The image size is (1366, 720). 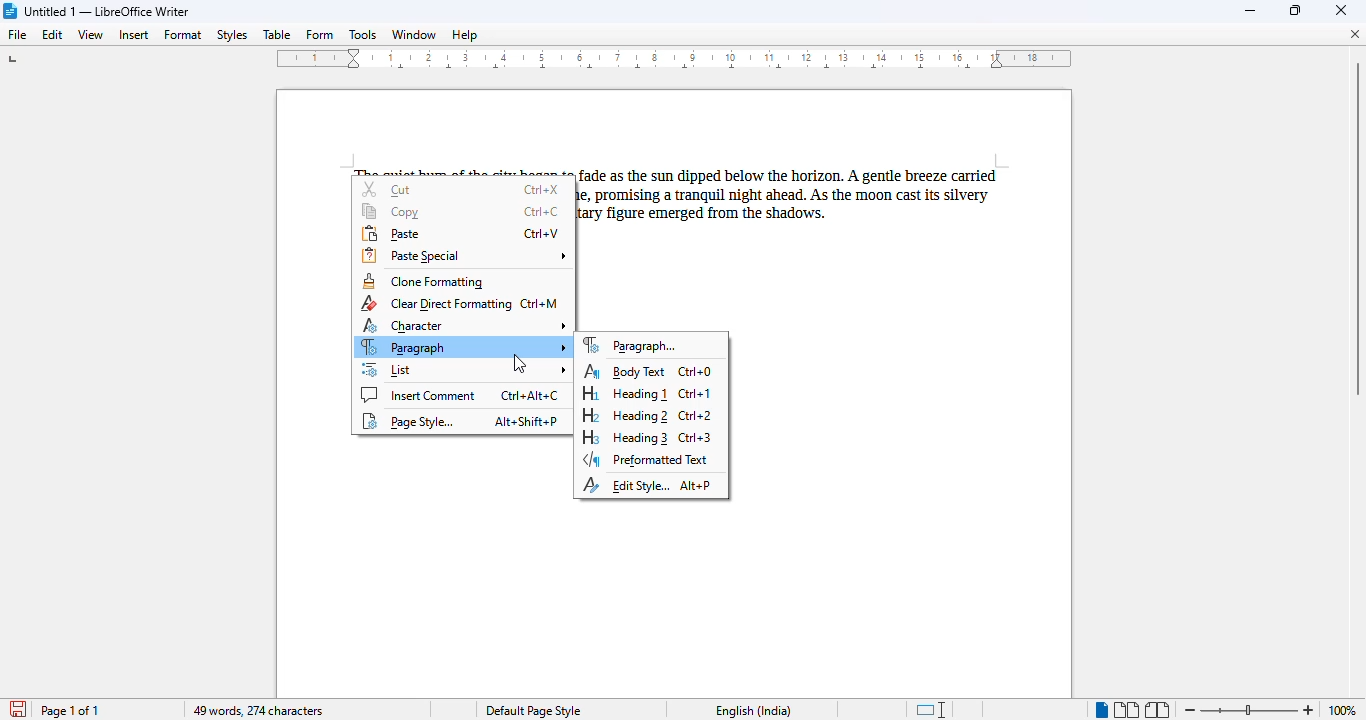 I want to click on minimize, so click(x=1251, y=12).